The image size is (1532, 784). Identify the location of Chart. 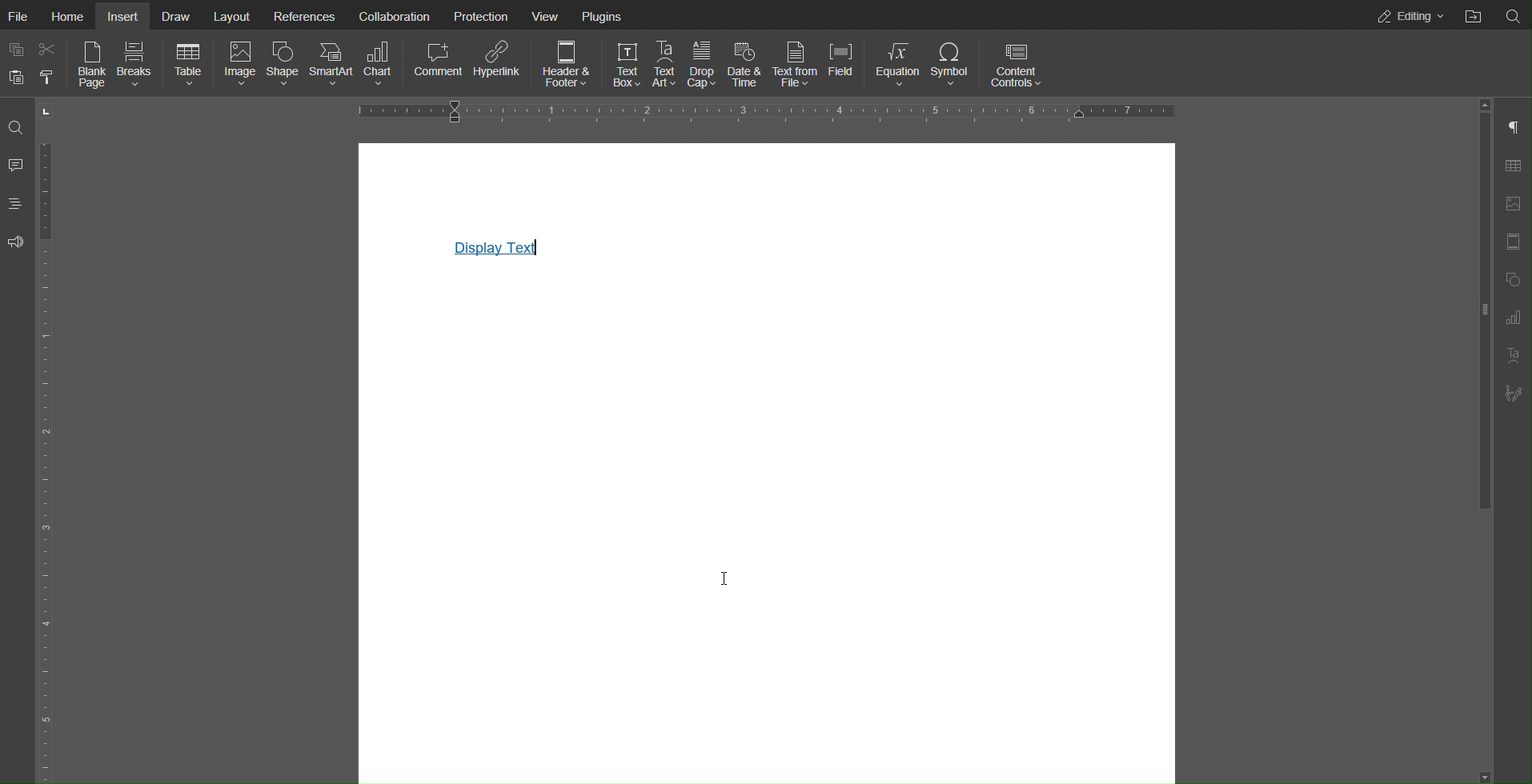
(379, 65).